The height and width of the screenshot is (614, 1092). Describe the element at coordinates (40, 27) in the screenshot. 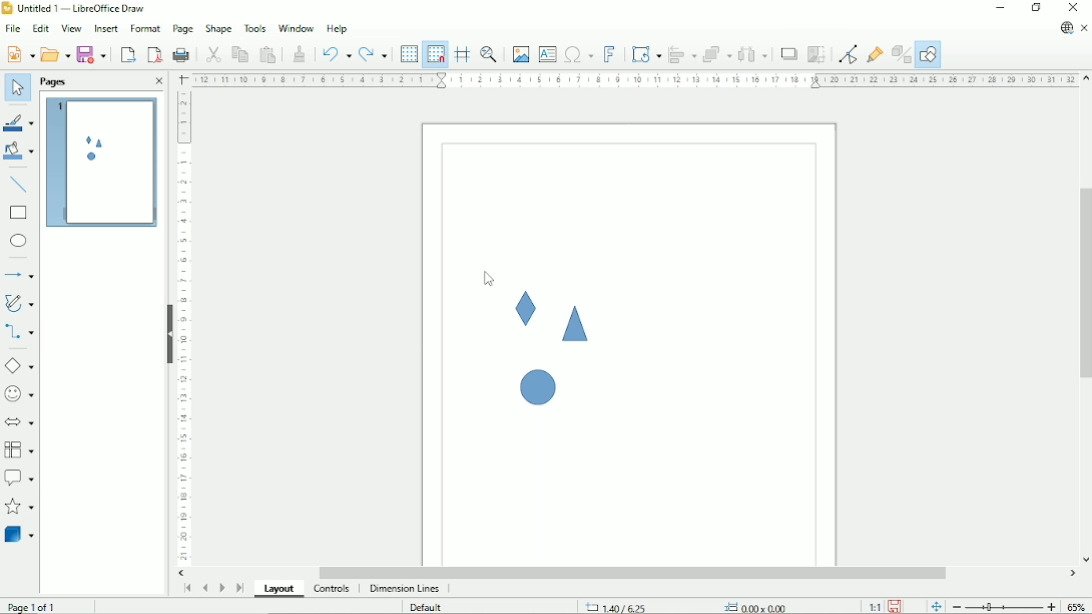

I see `Edit` at that location.